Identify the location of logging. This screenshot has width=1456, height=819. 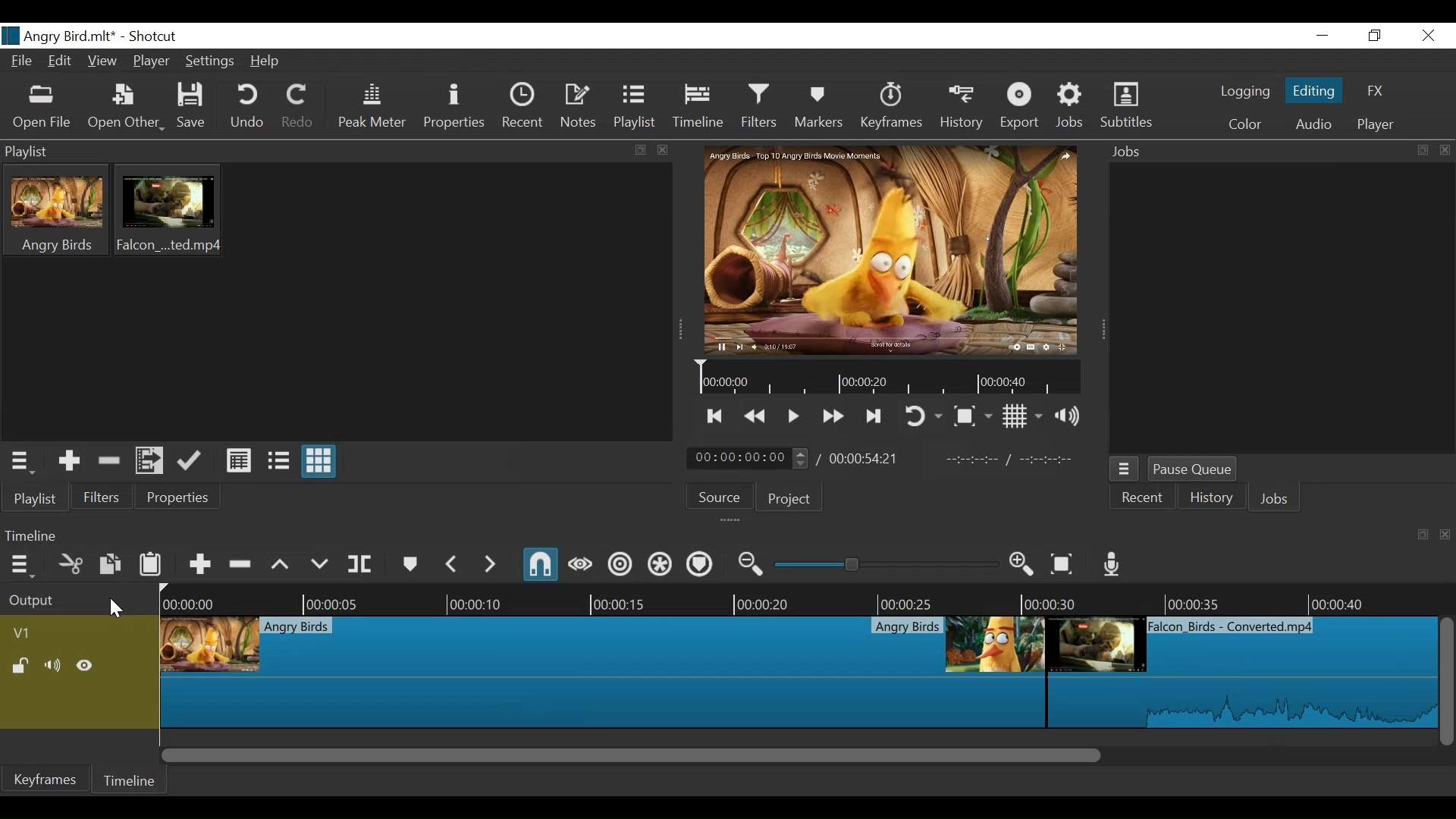
(1244, 91).